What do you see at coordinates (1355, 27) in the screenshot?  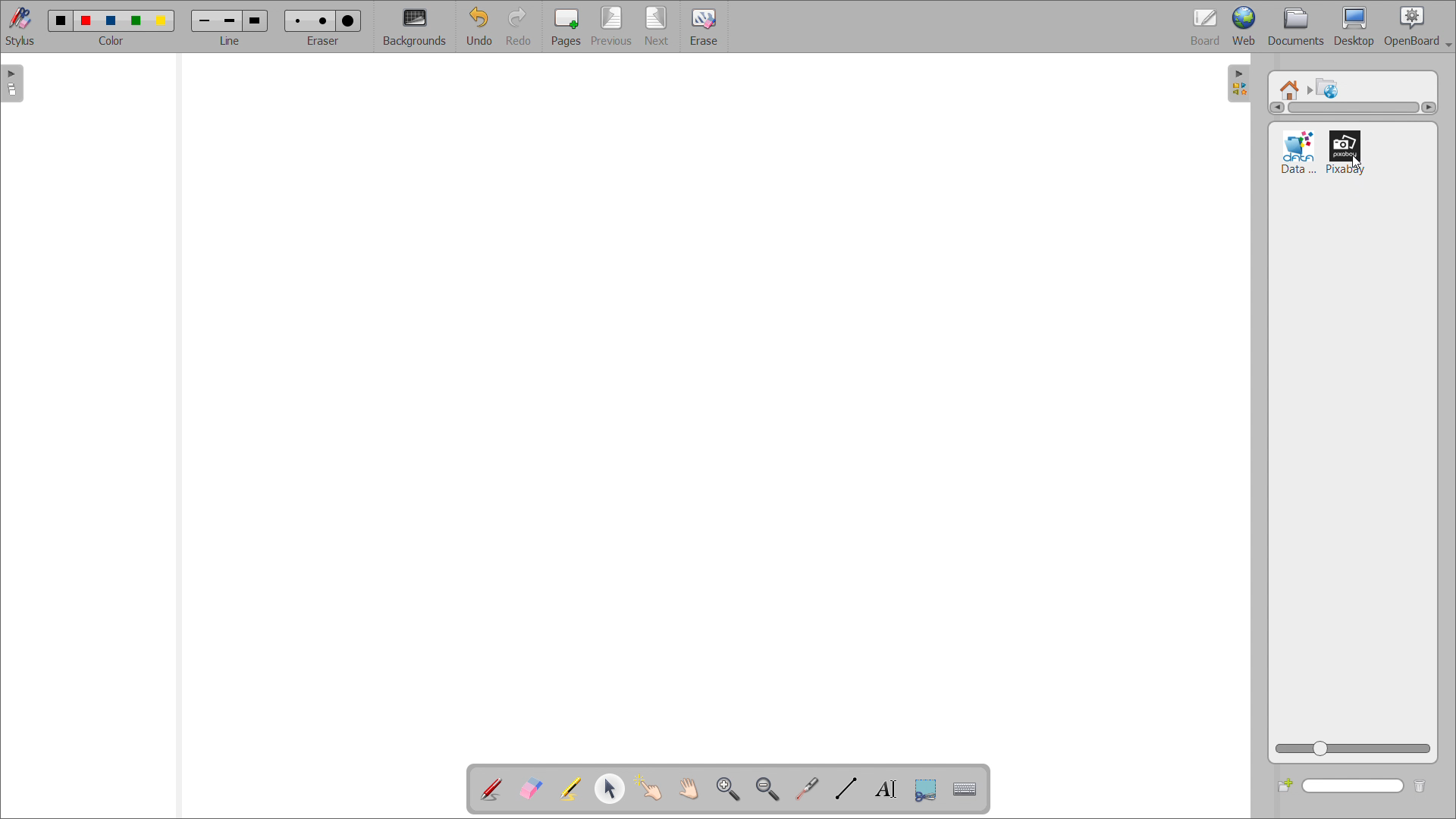 I see `desktop view` at bounding box center [1355, 27].